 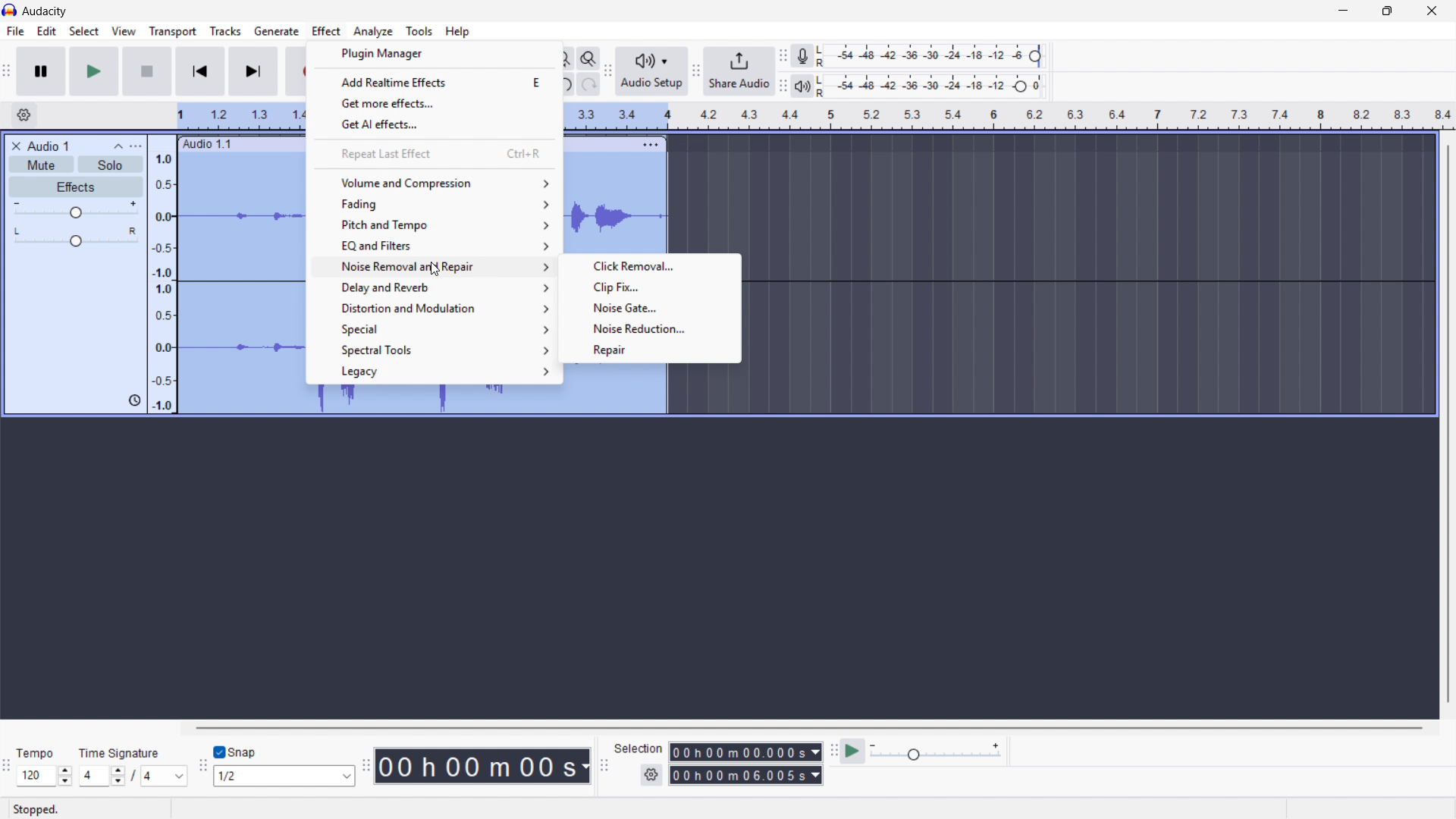 I want to click on View , so click(x=124, y=31).